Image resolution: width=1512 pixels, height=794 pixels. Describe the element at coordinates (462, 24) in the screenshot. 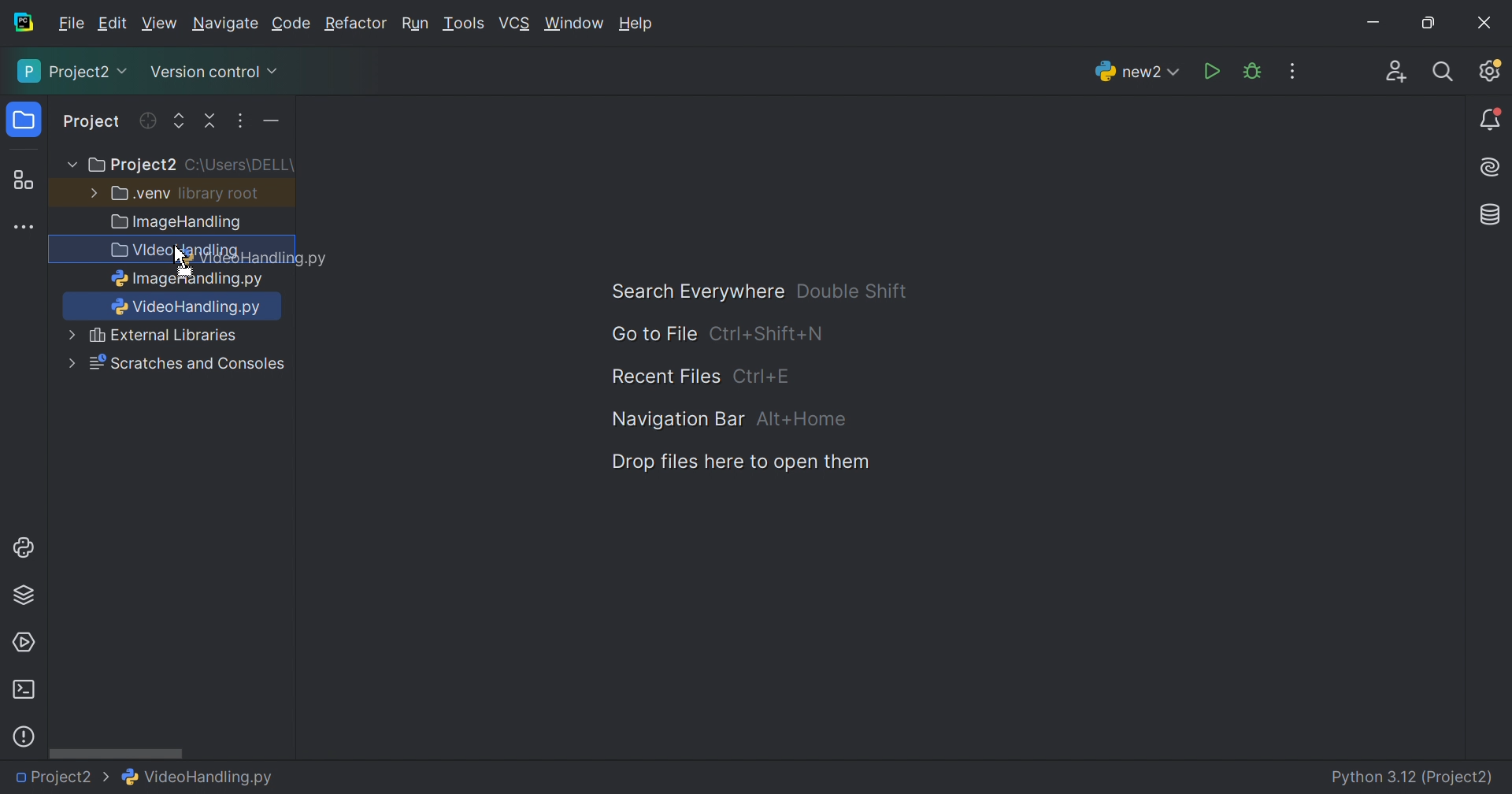

I see `Tools` at that location.